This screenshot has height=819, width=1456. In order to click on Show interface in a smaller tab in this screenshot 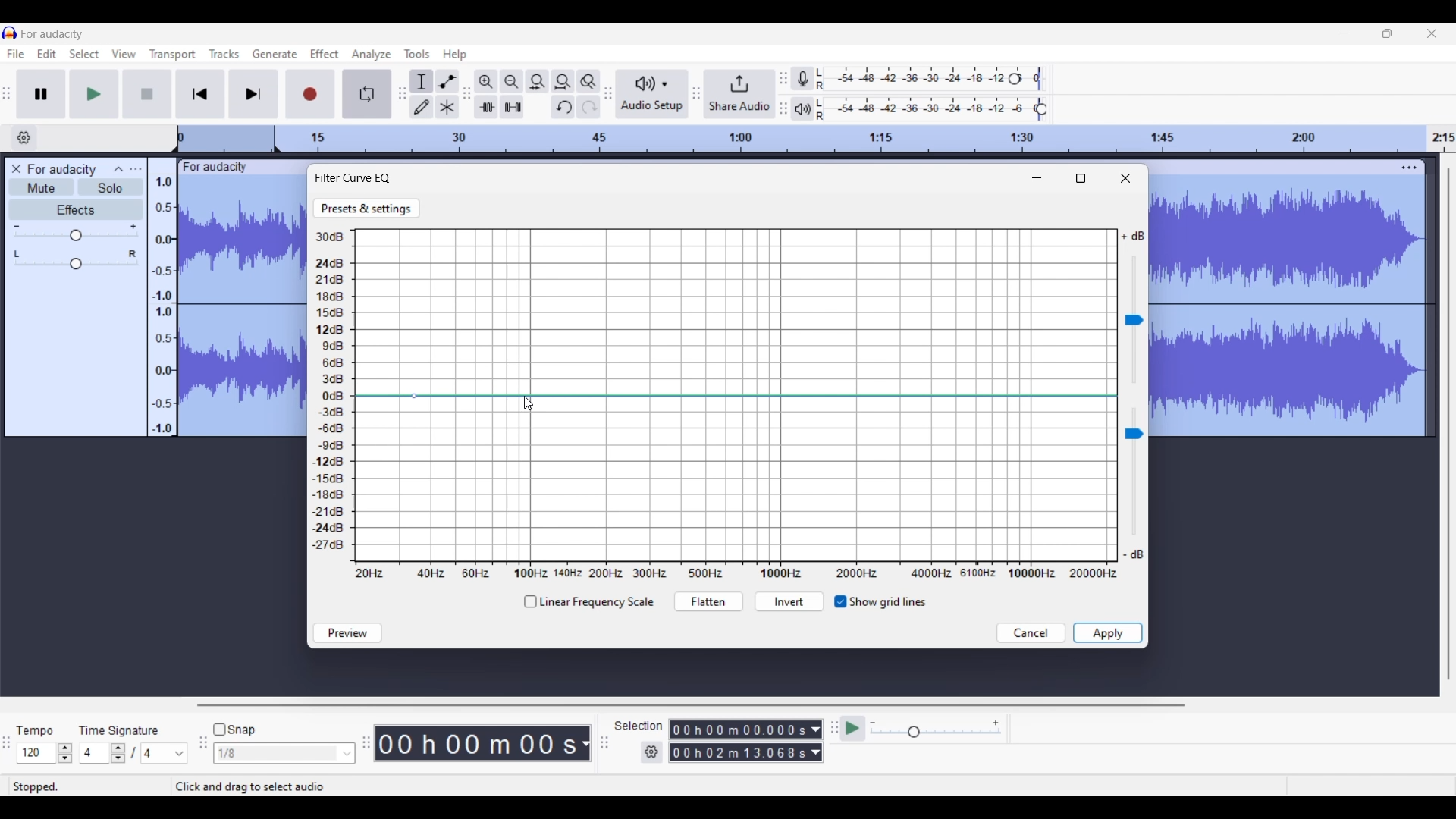, I will do `click(1387, 33)`.